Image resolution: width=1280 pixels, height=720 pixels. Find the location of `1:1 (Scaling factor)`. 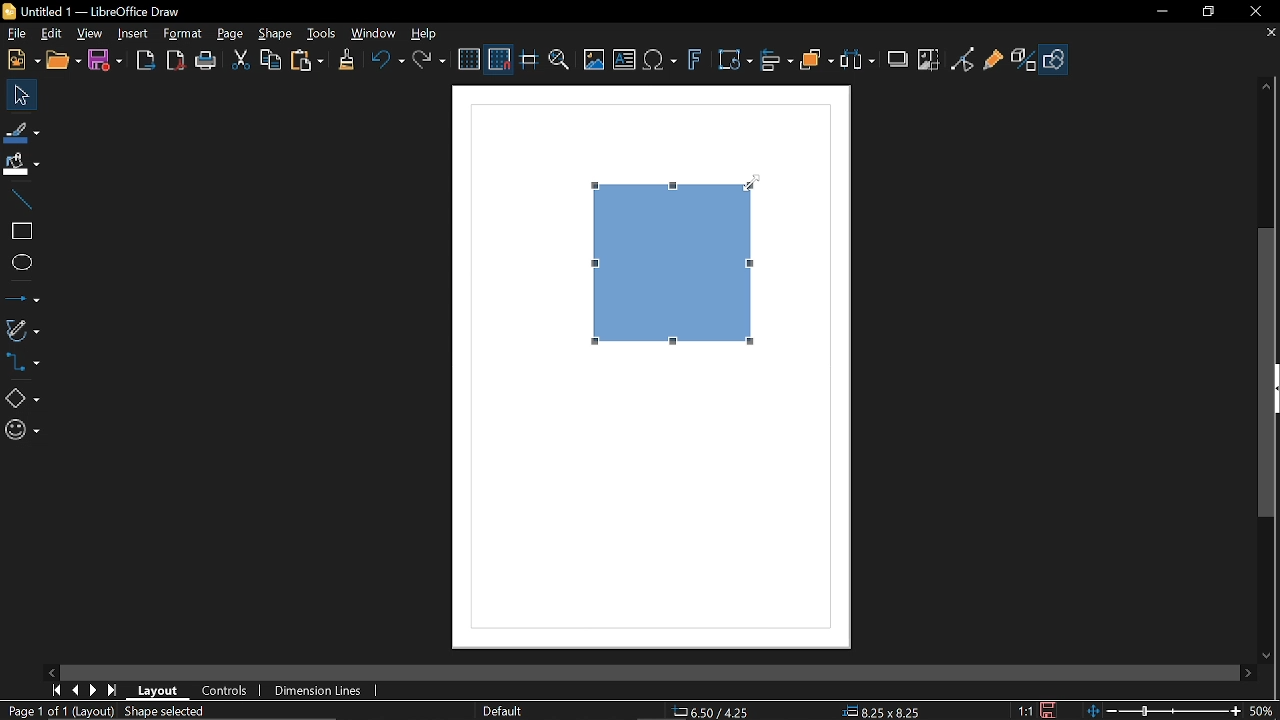

1:1 (Scaling factor) is located at coordinates (1022, 710).